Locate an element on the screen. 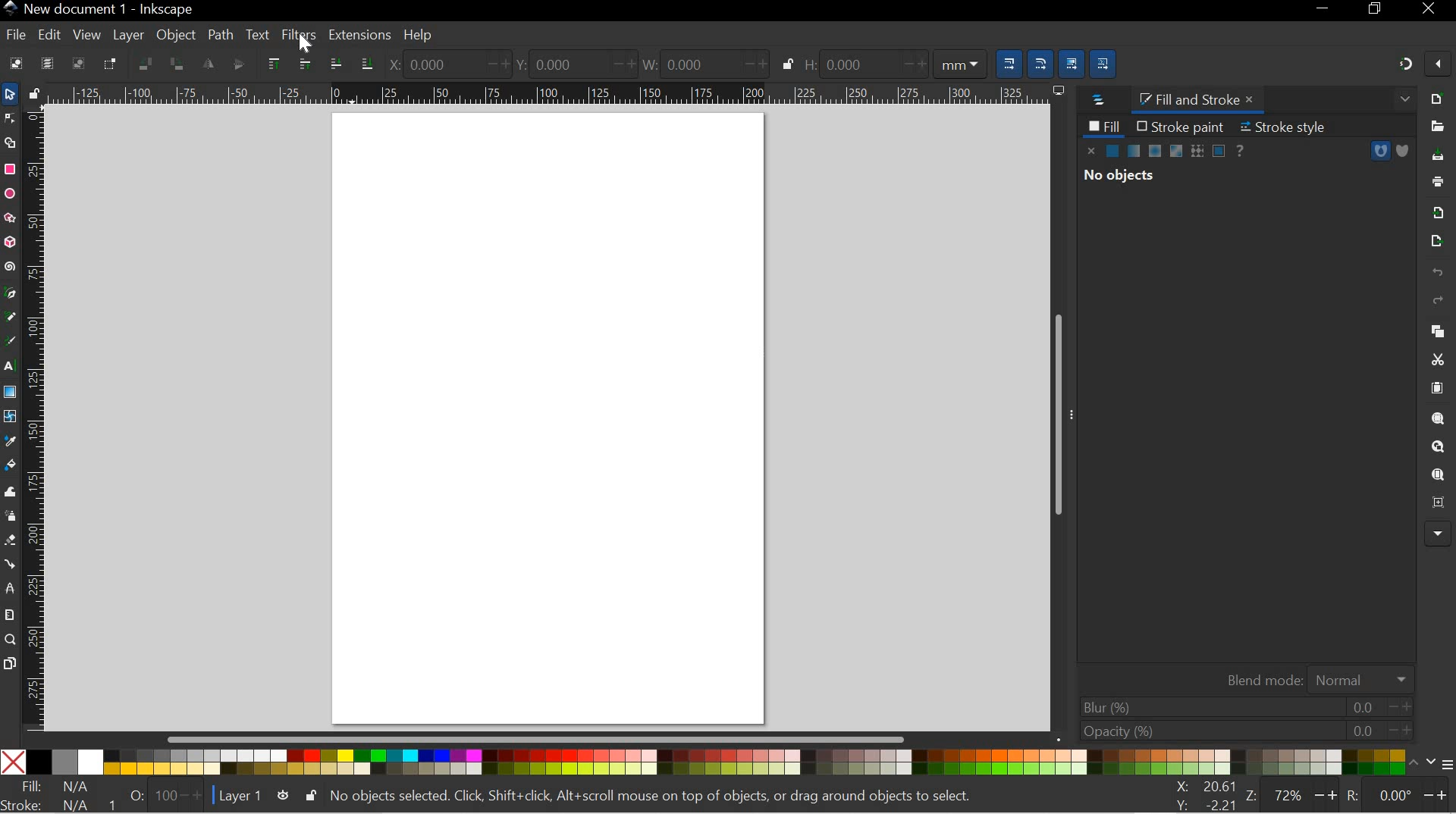 The width and height of the screenshot is (1456, 814). LOCK OBJECT is located at coordinates (786, 64).